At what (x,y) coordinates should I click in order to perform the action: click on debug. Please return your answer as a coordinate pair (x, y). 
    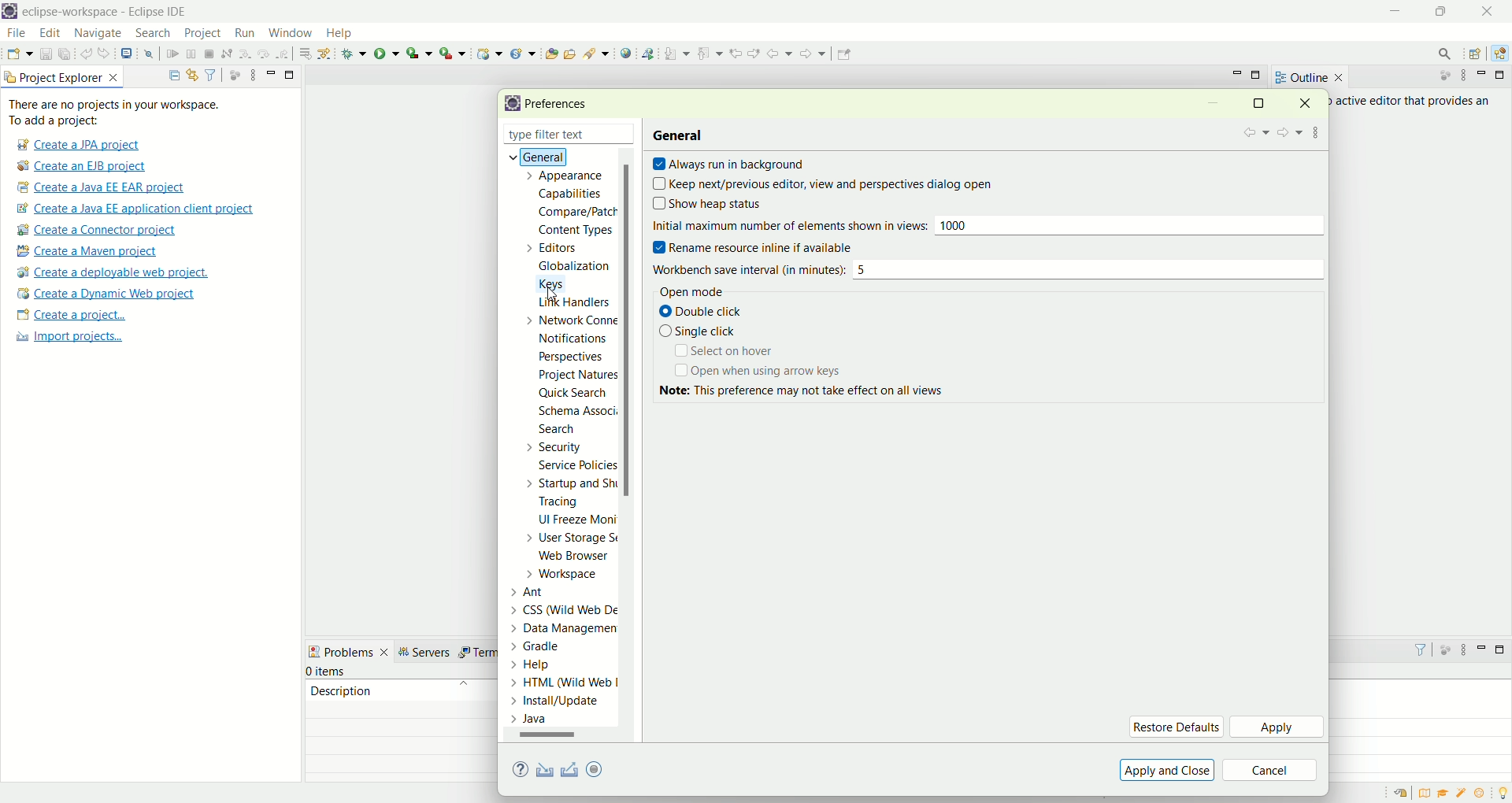
    Looking at the image, I should click on (354, 54).